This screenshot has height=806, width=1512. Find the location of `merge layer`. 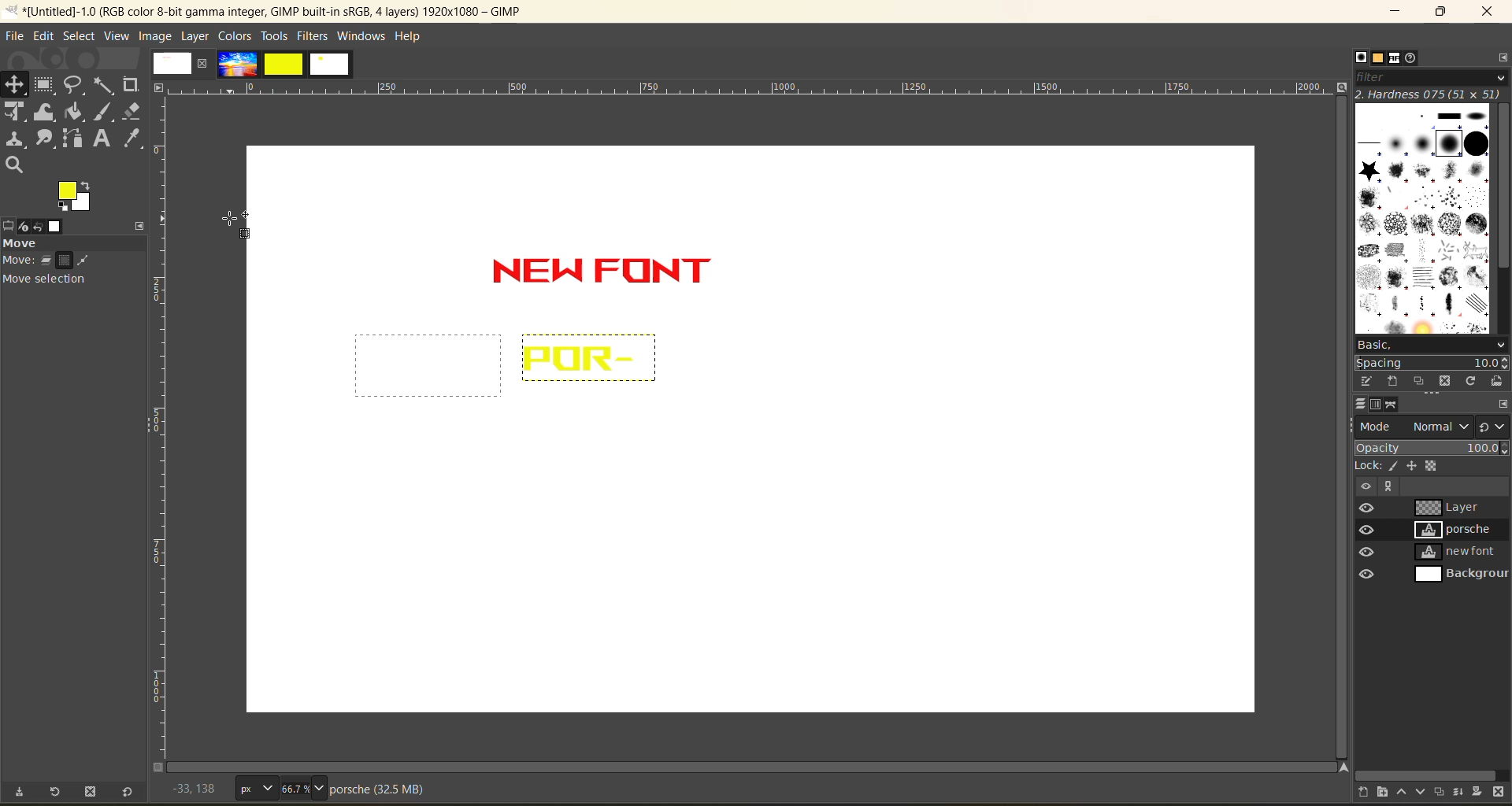

merge layer is located at coordinates (1461, 791).